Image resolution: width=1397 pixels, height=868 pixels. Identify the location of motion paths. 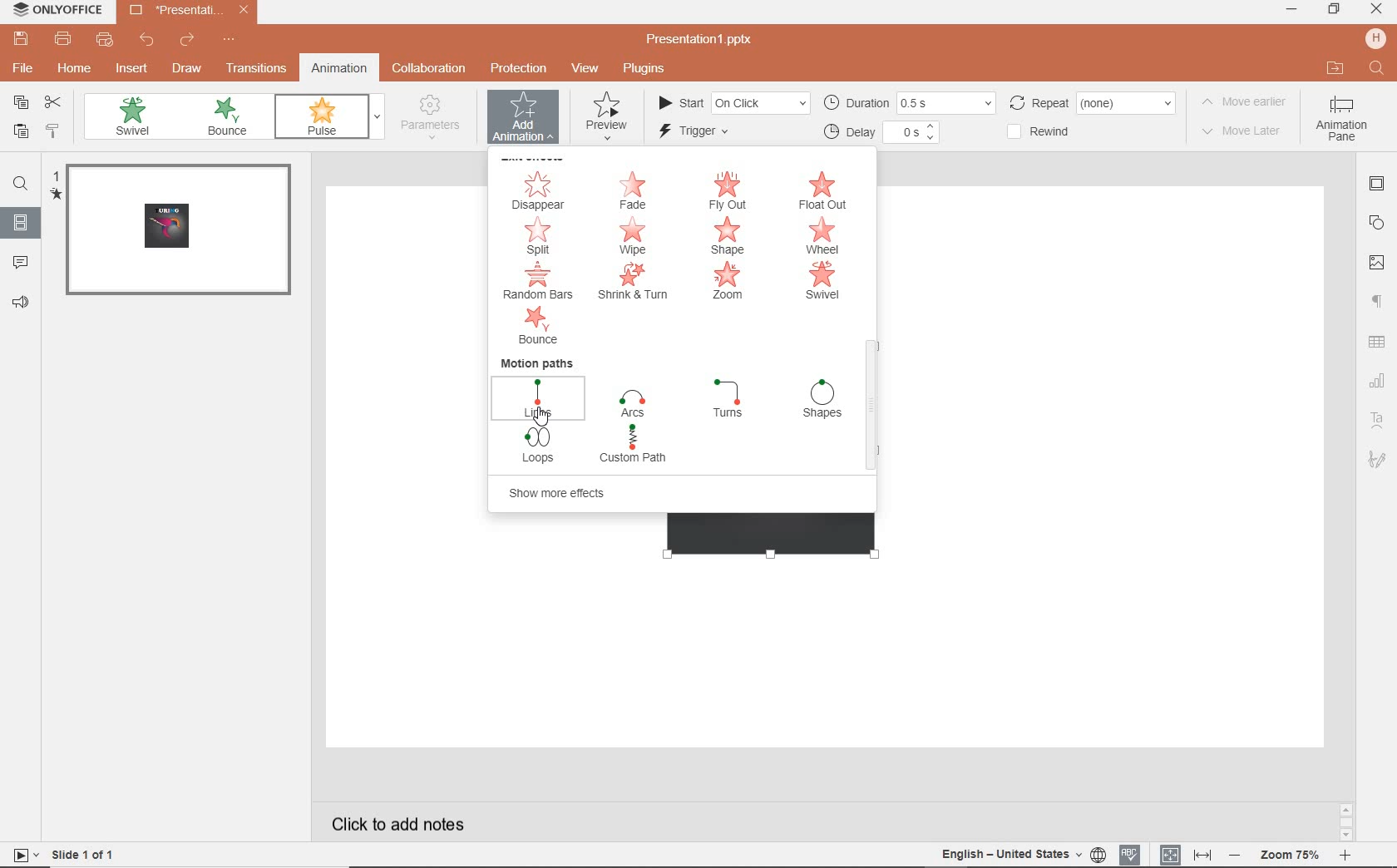
(536, 362).